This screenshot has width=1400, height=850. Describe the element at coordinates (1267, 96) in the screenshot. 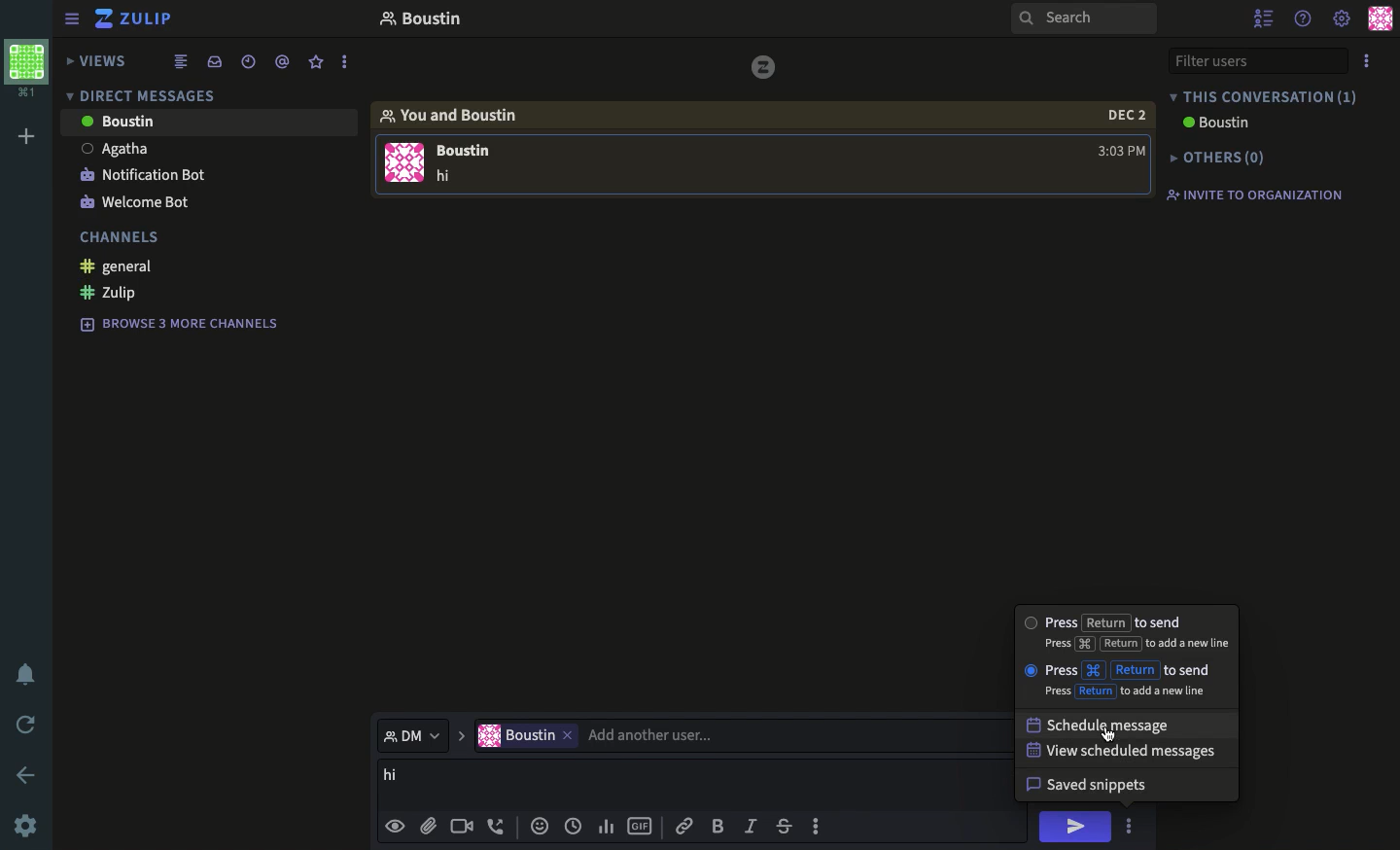

I see `this conversation` at that location.